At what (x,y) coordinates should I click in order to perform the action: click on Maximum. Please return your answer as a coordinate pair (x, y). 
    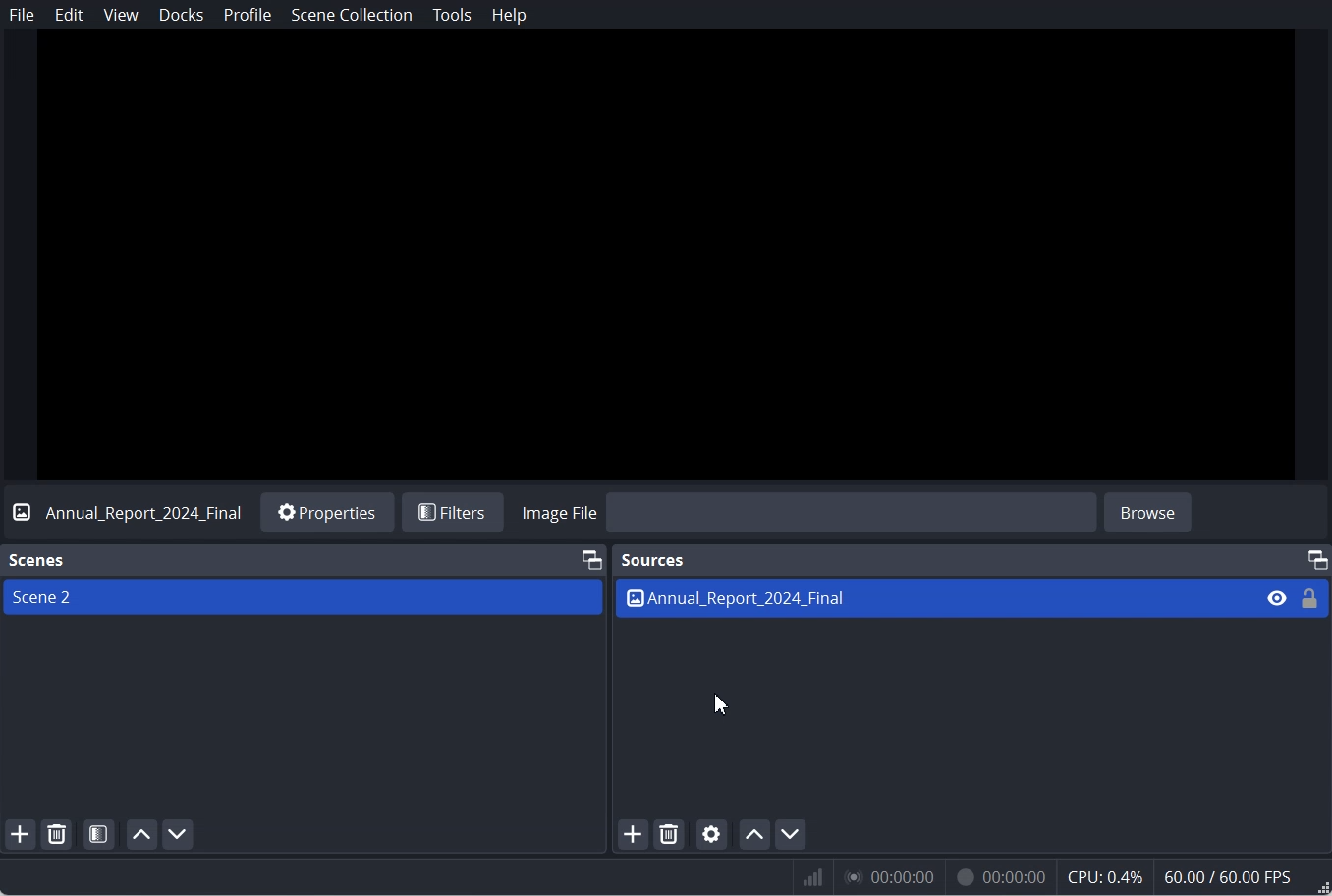
    Looking at the image, I should click on (1316, 558).